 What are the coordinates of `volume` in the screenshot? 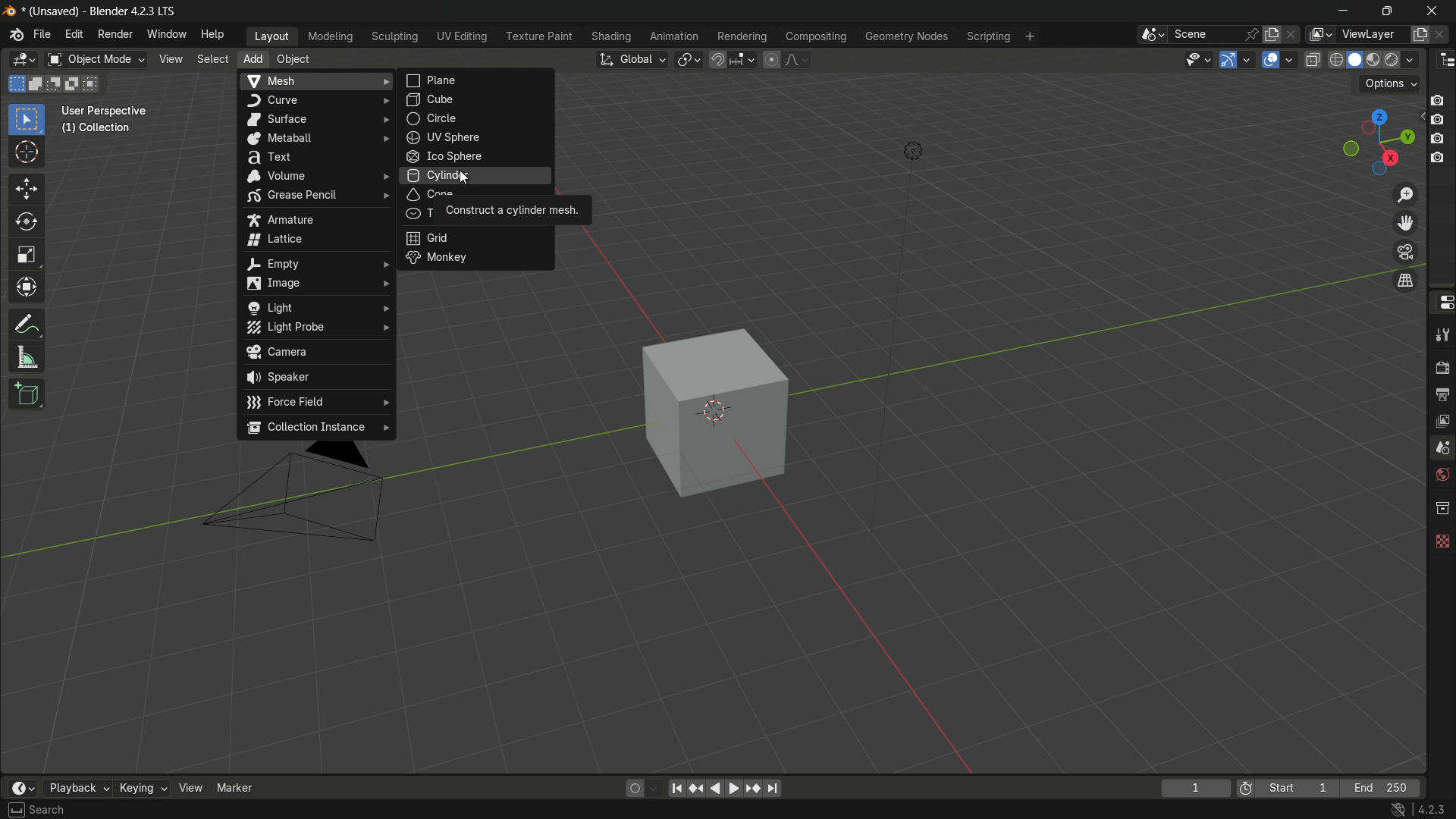 It's located at (315, 175).